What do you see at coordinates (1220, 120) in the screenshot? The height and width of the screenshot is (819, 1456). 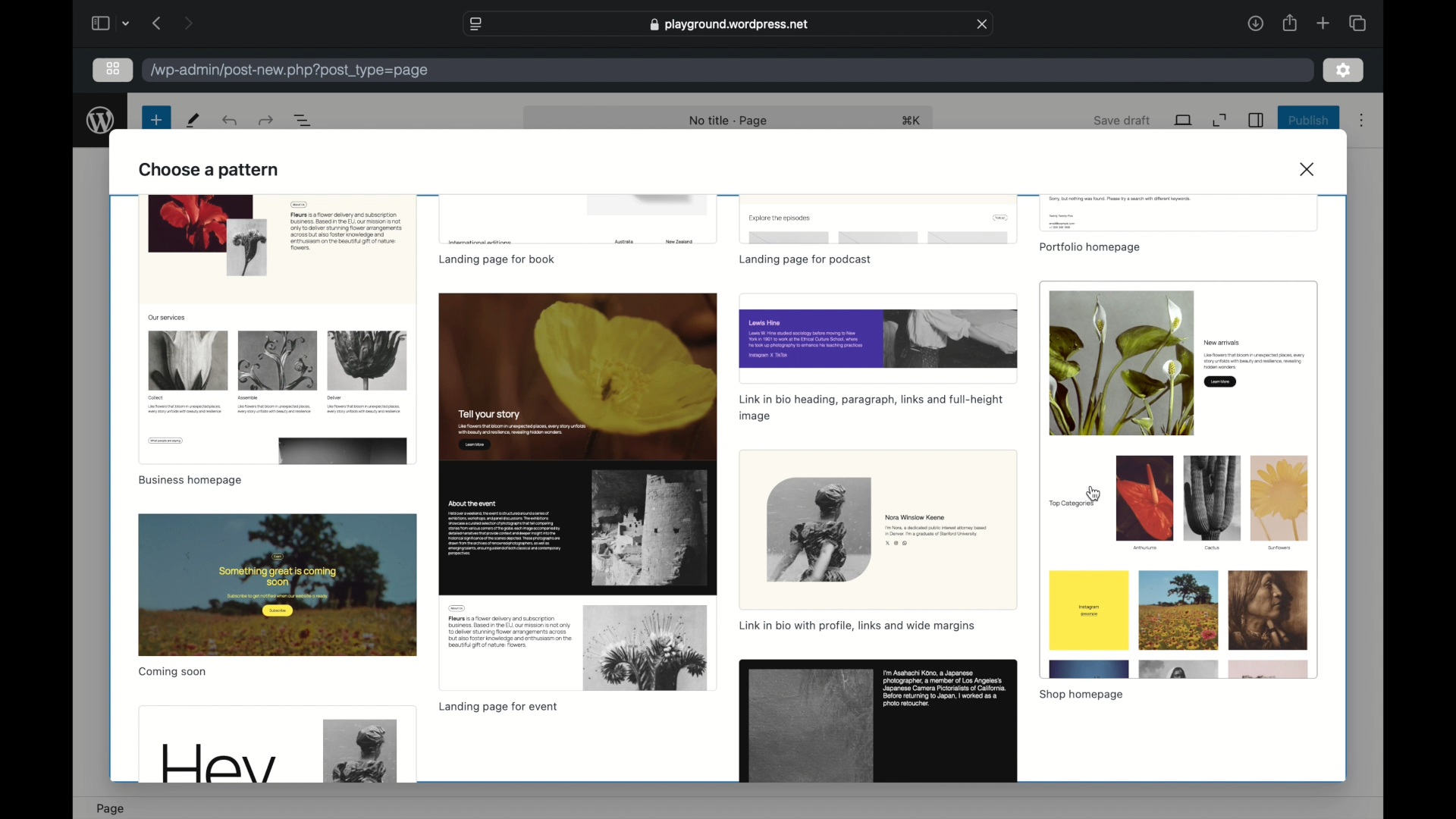 I see `expand` at bounding box center [1220, 120].